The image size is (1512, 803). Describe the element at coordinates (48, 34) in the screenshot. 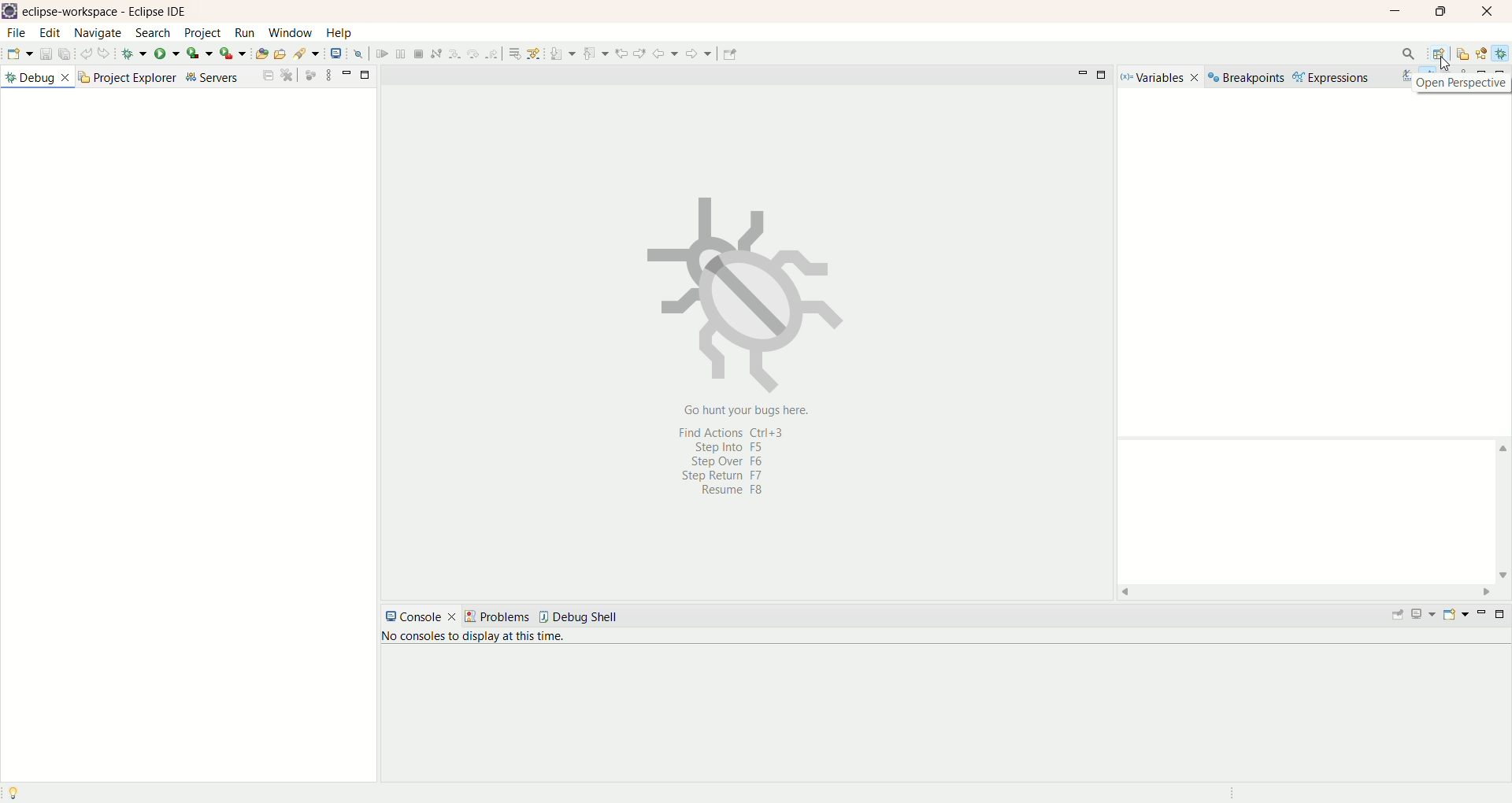

I see `edit` at that location.